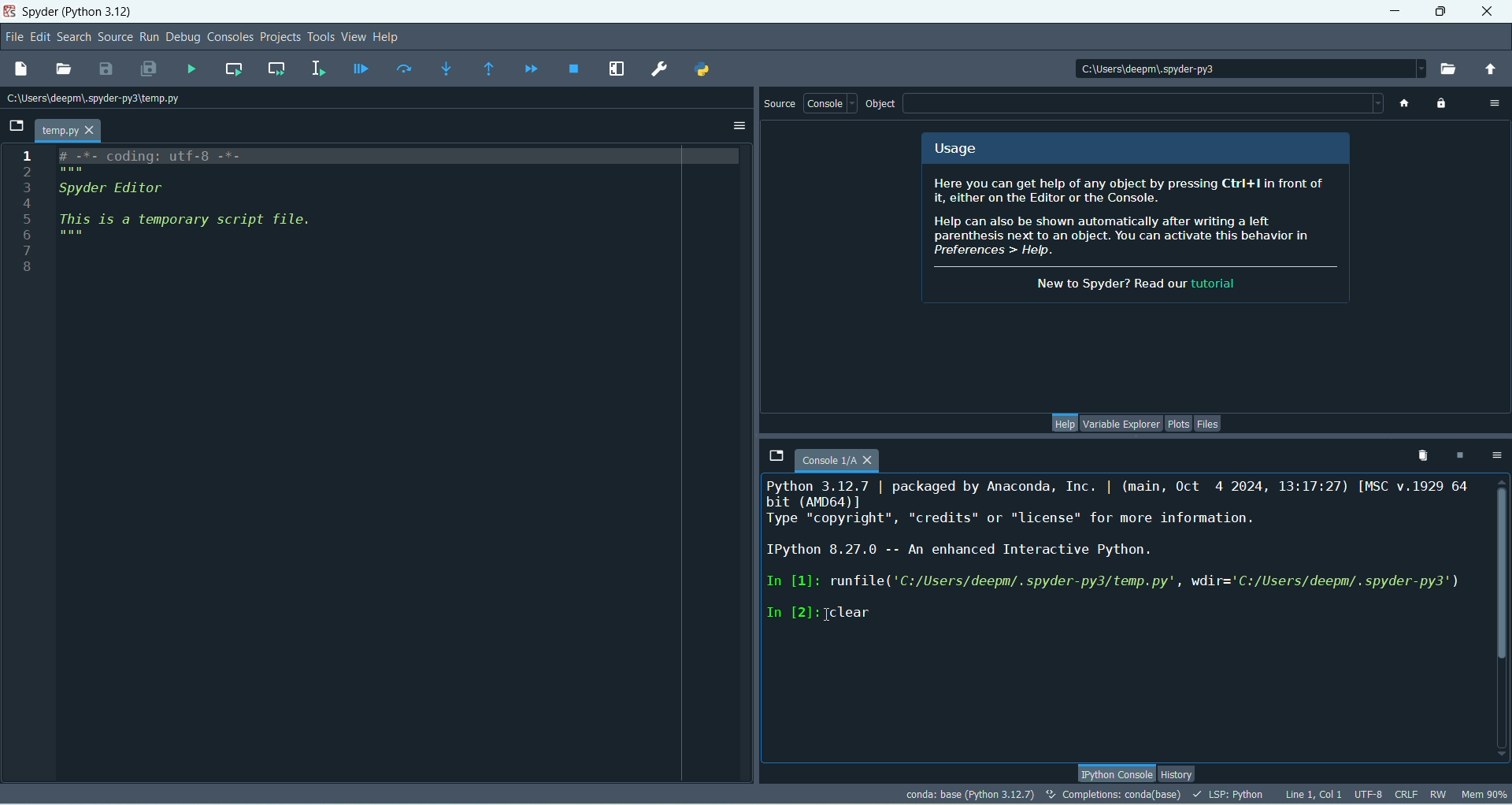 This screenshot has width=1512, height=805. Describe the element at coordinates (844, 460) in the screenshot. I see `console` at that location.